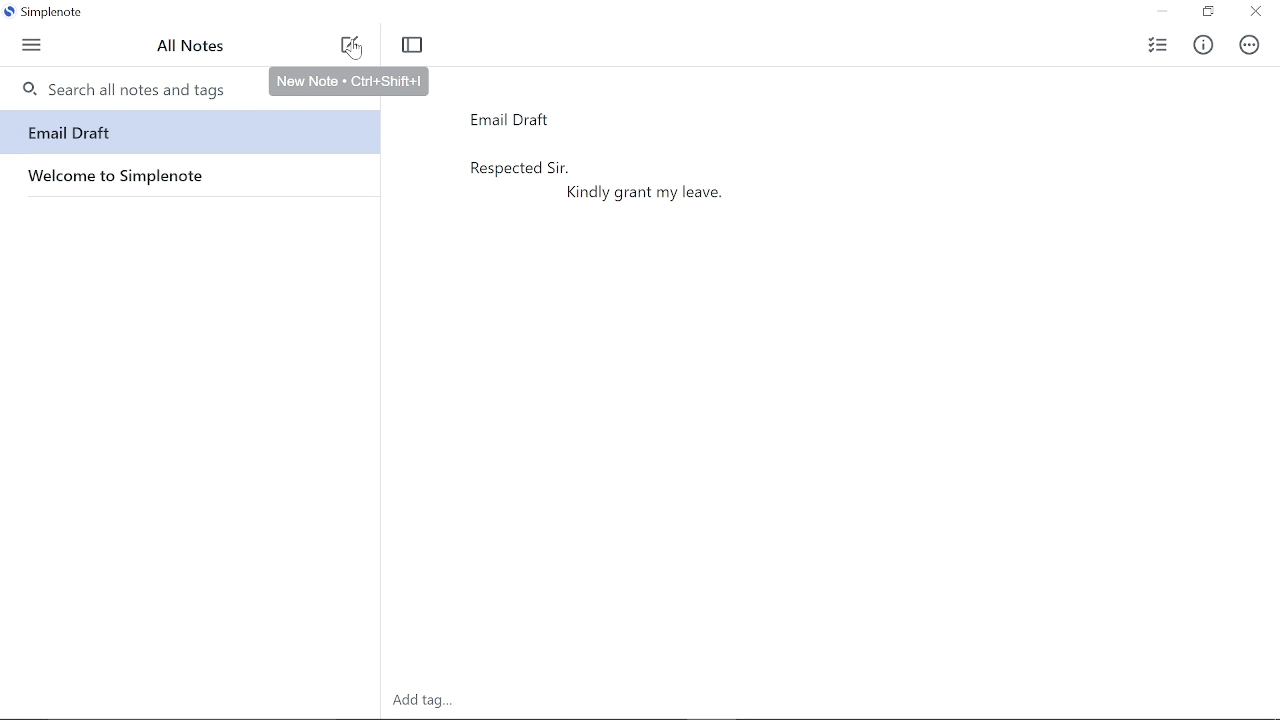 The width and height of the screenshot is (1280, 720). Describe the element at coordinates (194, 49) in the screenshot. I see `All notes` at that location.